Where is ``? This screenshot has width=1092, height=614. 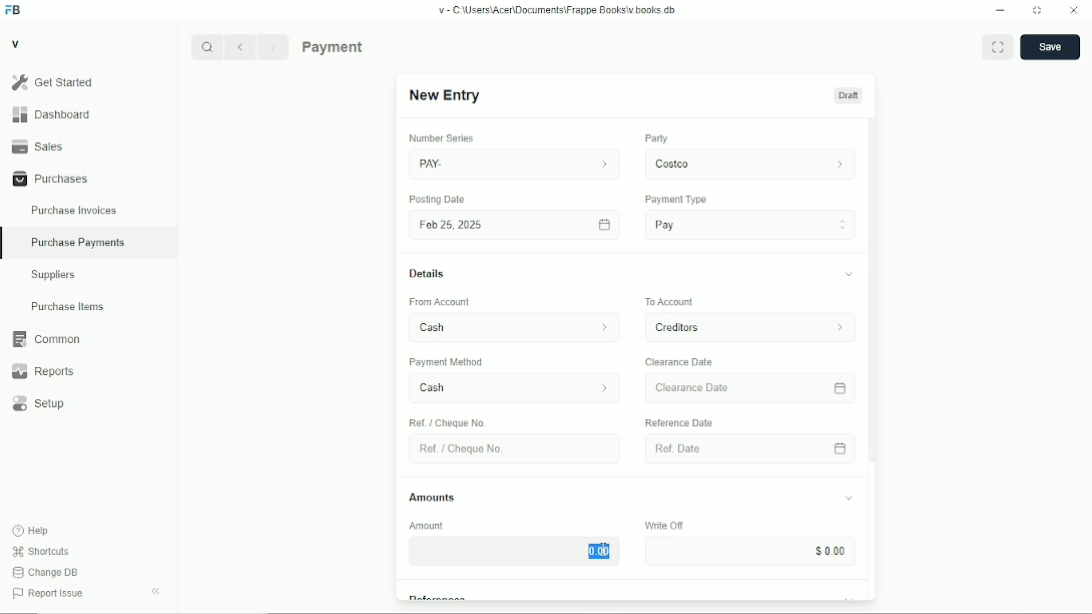  is located at coordinates (748, 552).